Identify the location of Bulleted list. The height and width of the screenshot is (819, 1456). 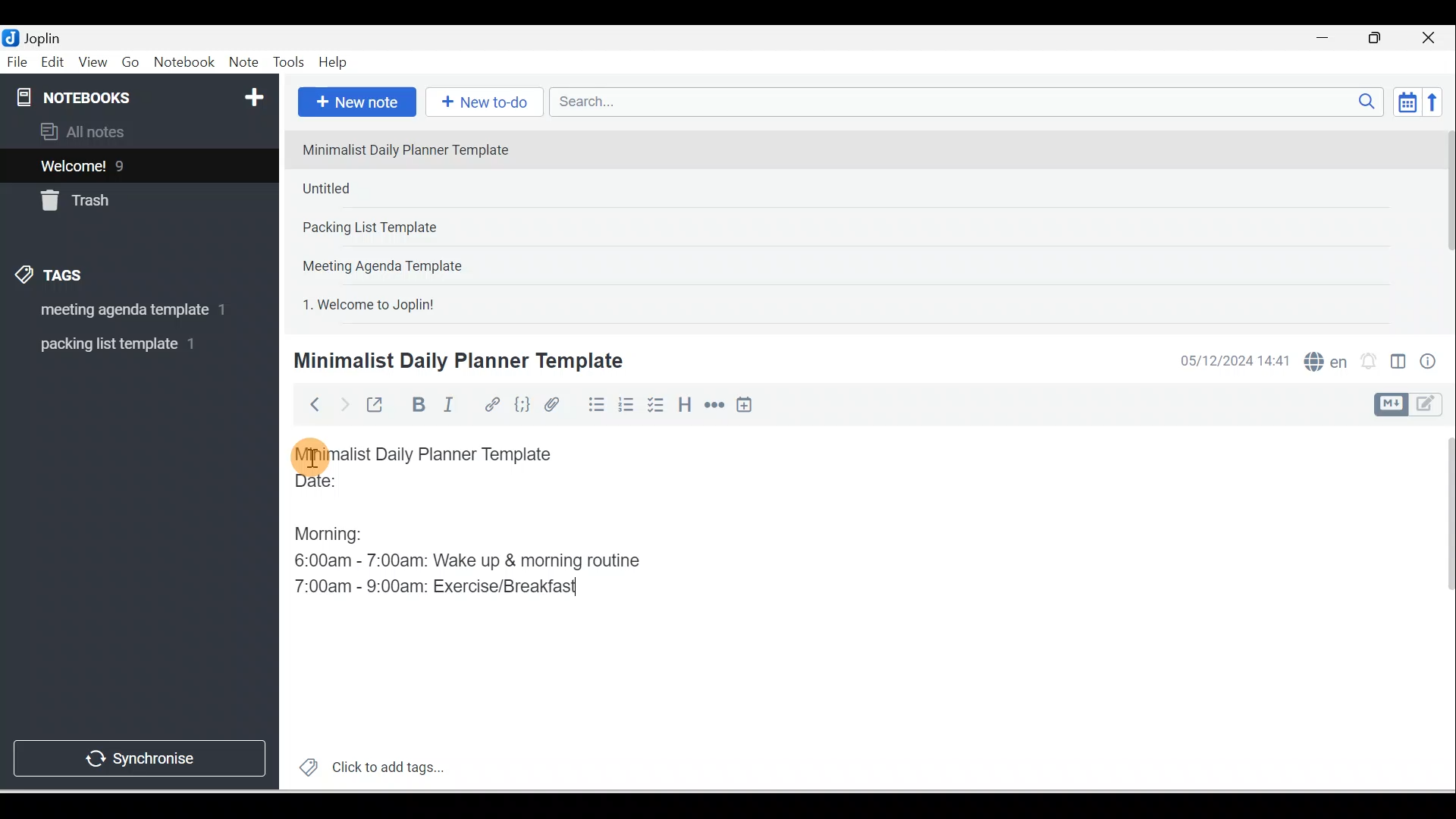
(593, 404).